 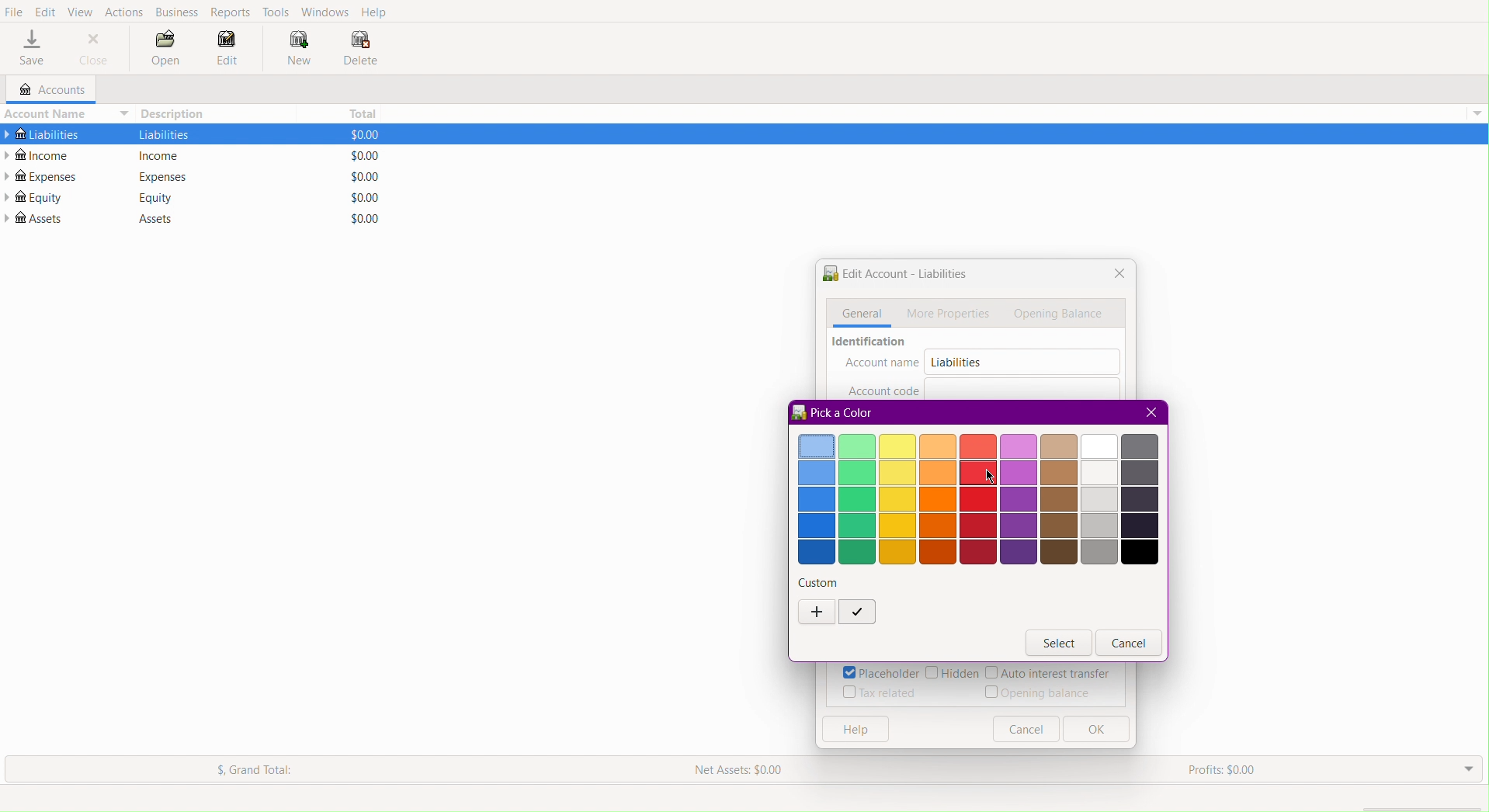 I want to click on Expenses, so click(x=161, y=176).